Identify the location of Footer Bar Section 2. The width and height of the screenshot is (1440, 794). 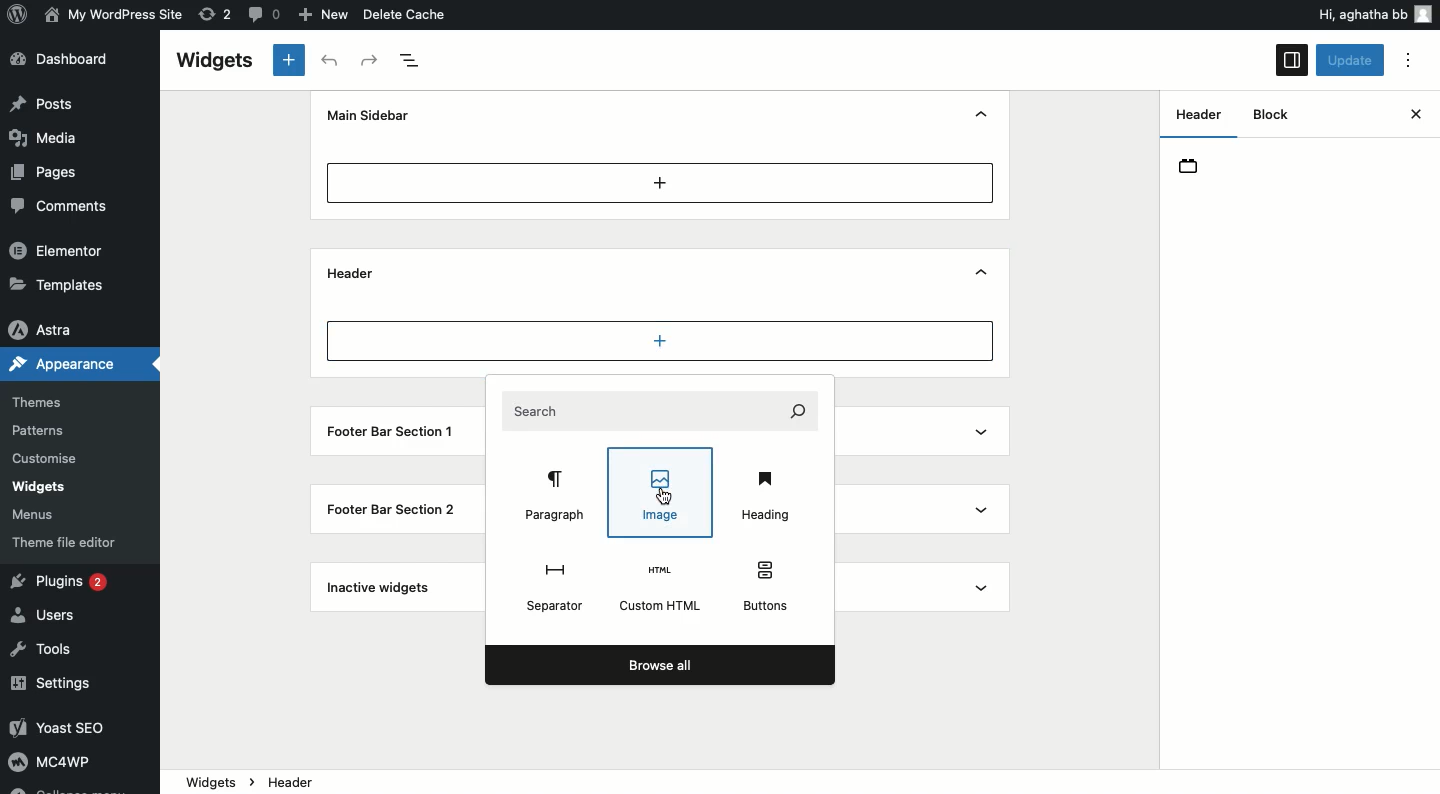
(396, 513).